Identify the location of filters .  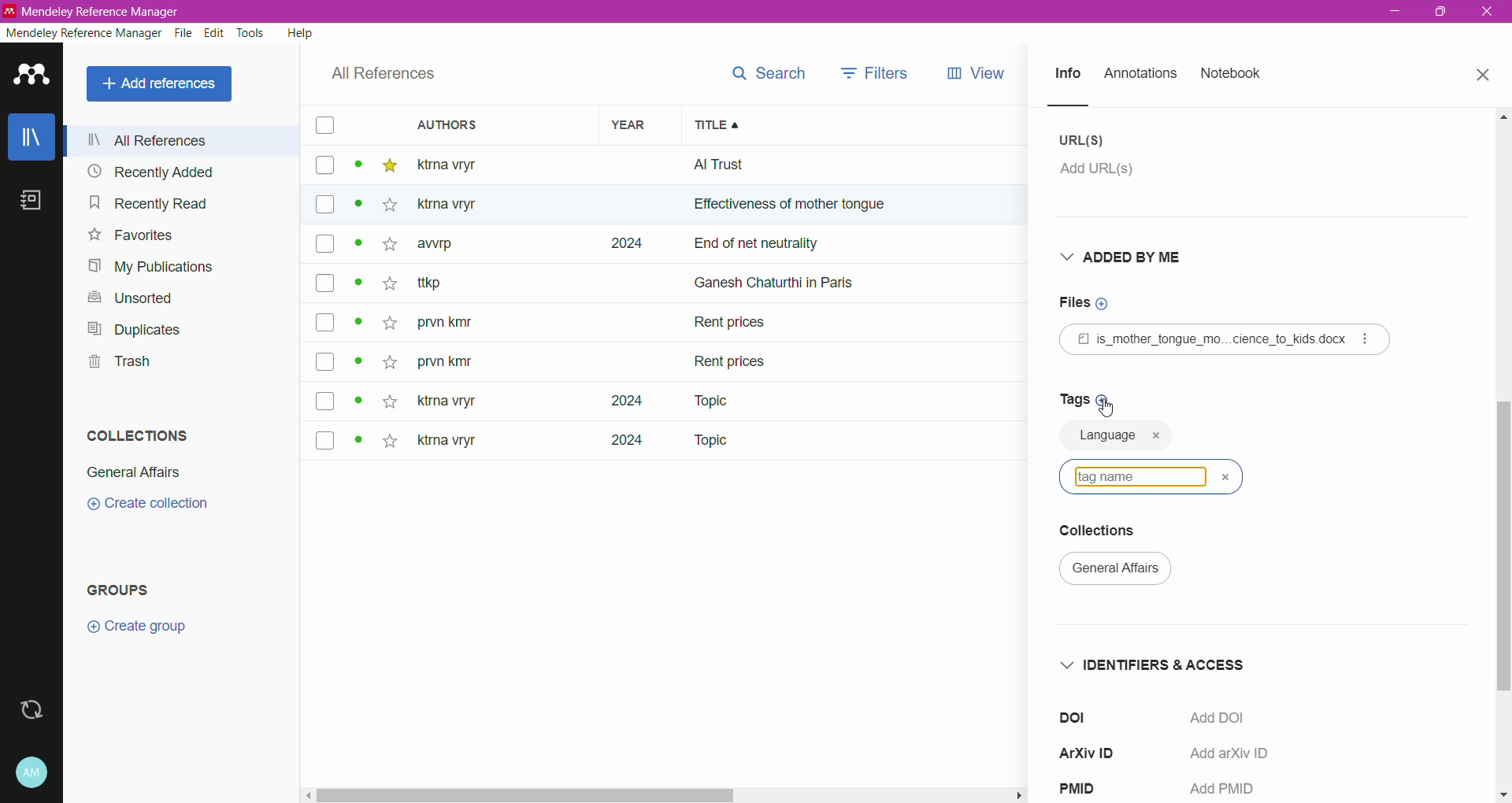
(875, 72).